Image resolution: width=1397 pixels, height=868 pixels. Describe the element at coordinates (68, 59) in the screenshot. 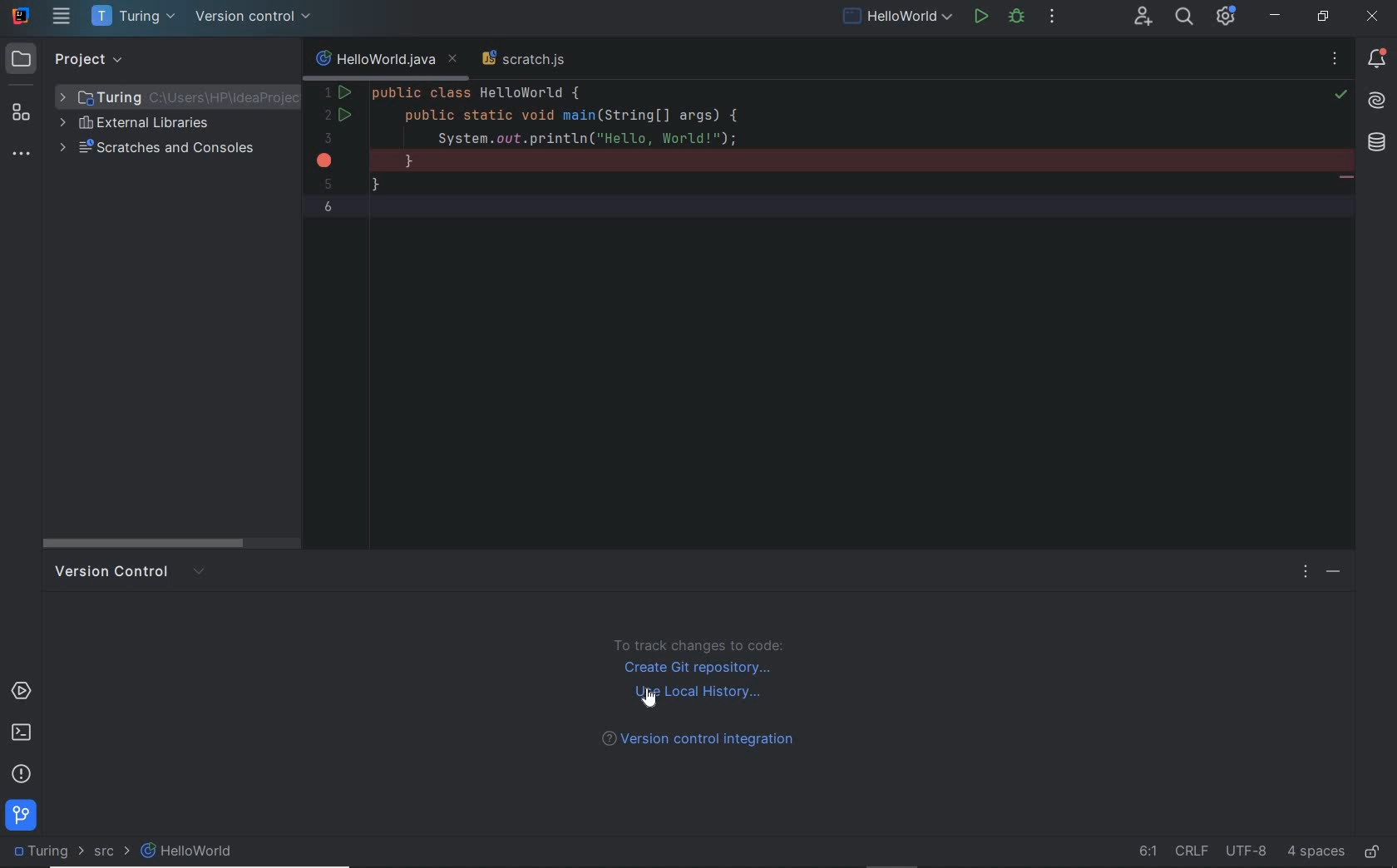

I see `project` at that location.